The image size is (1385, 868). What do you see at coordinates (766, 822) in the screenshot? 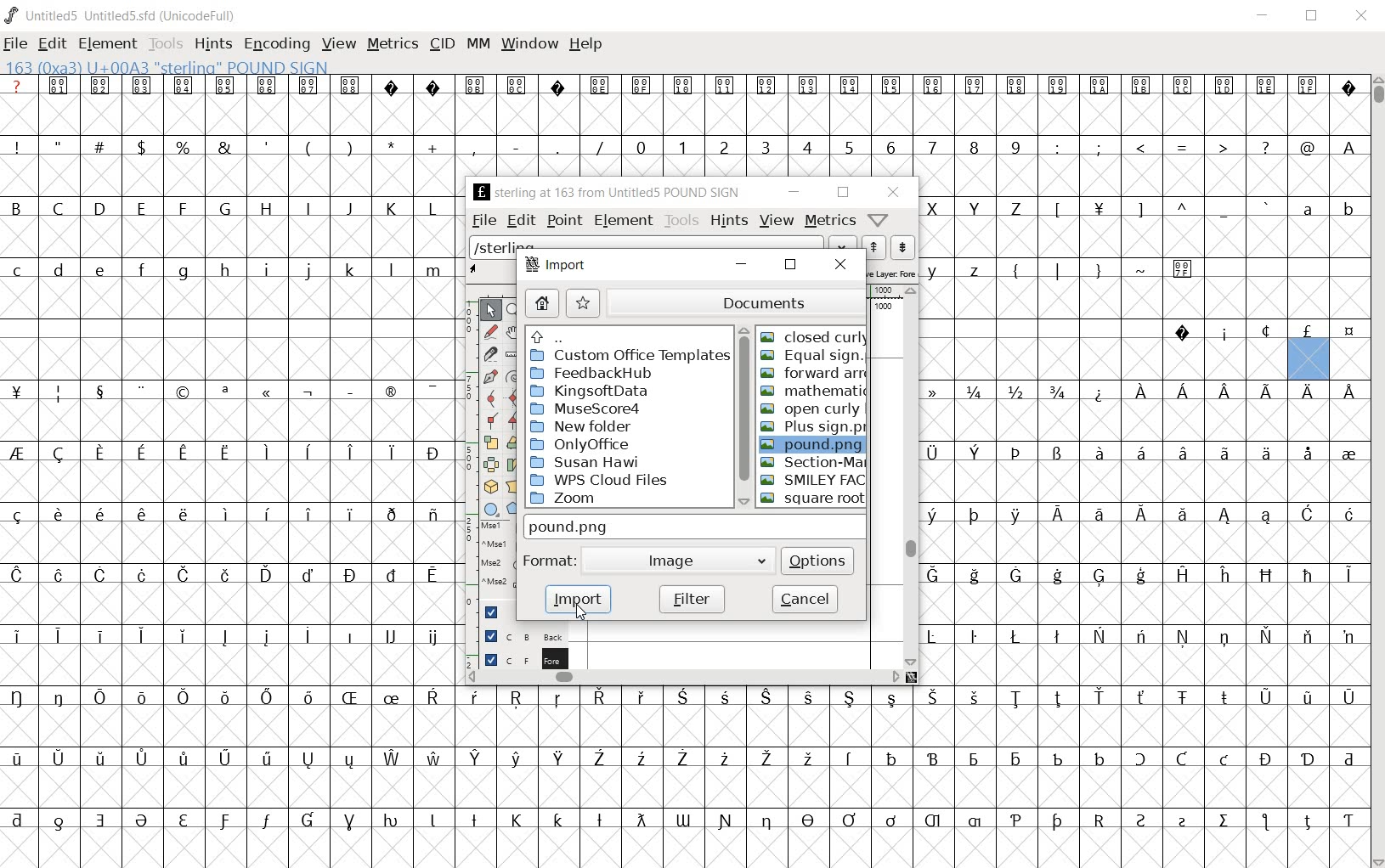
I see `Symbol` at bounding box center [766, 822].